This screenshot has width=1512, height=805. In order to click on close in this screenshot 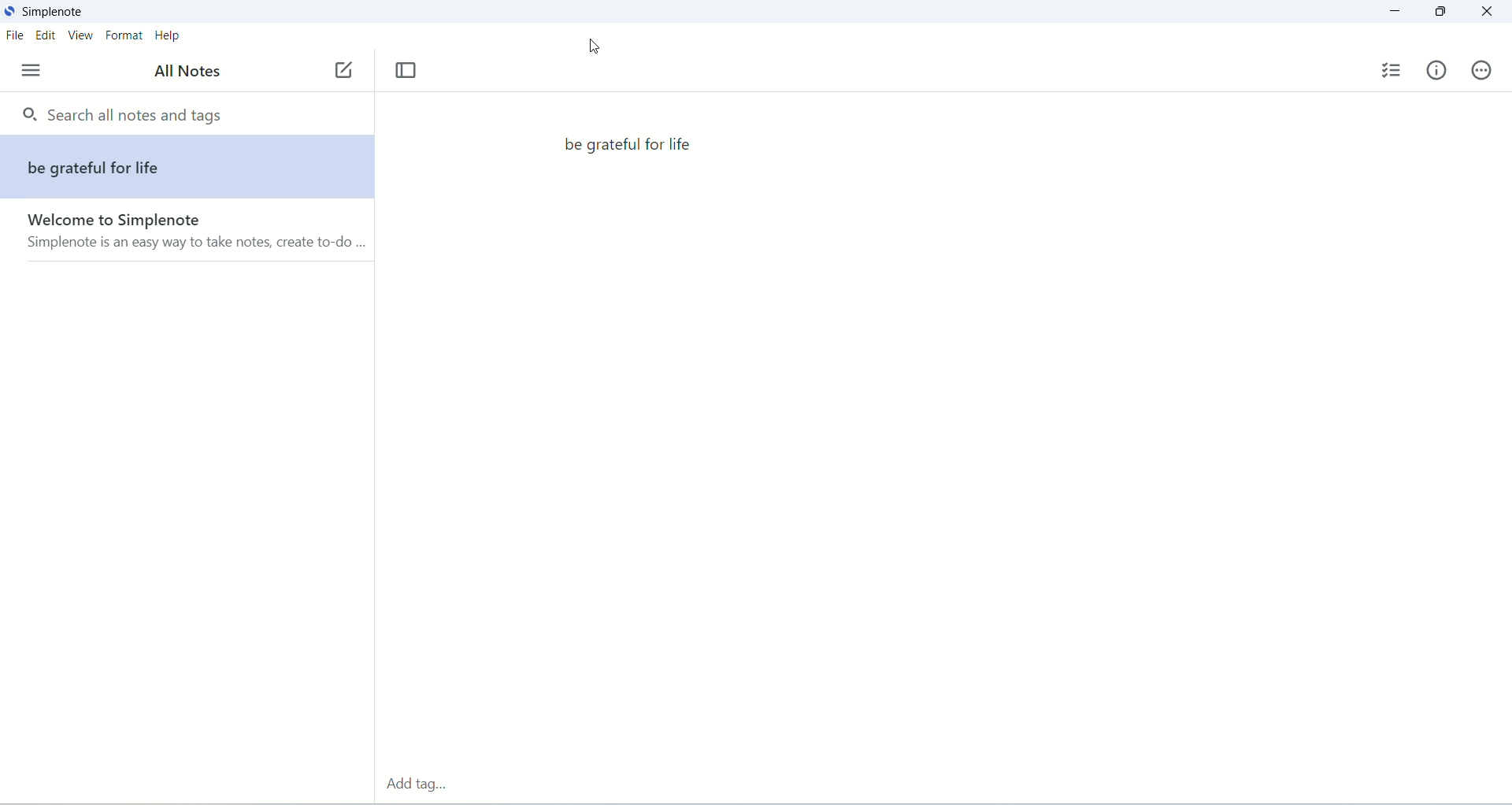, I will do `click(1484, 13)`.